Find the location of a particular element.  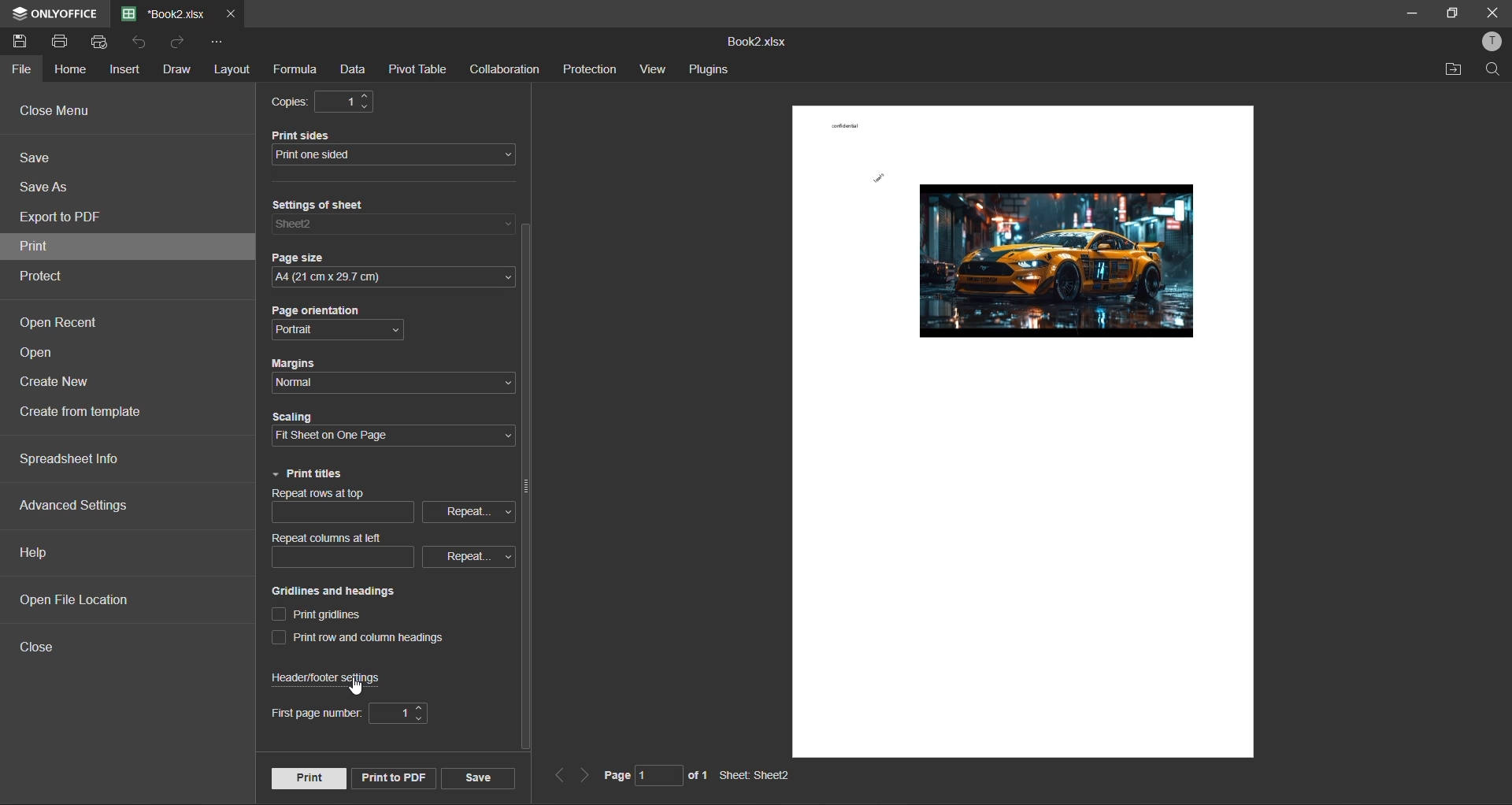

help is located at coordinates (39, 553).